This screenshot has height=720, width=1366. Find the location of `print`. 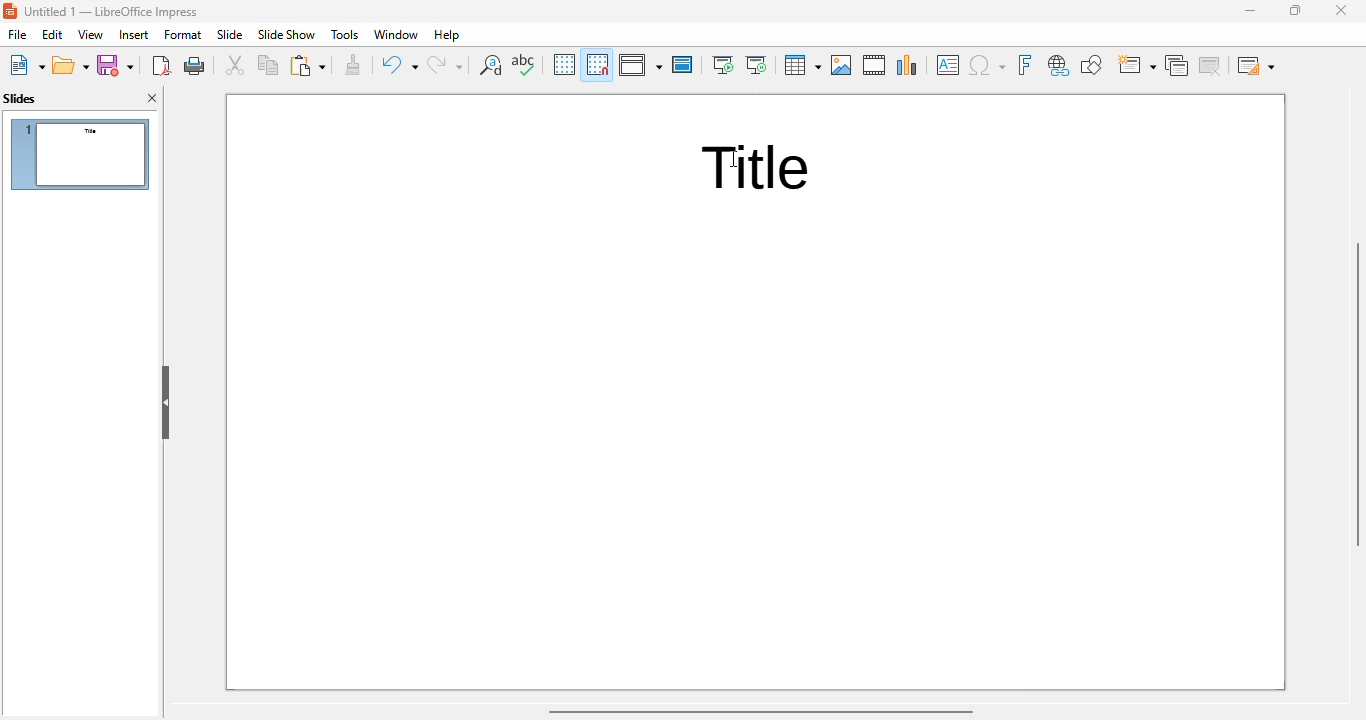

print is located at coordinates (196, 65).